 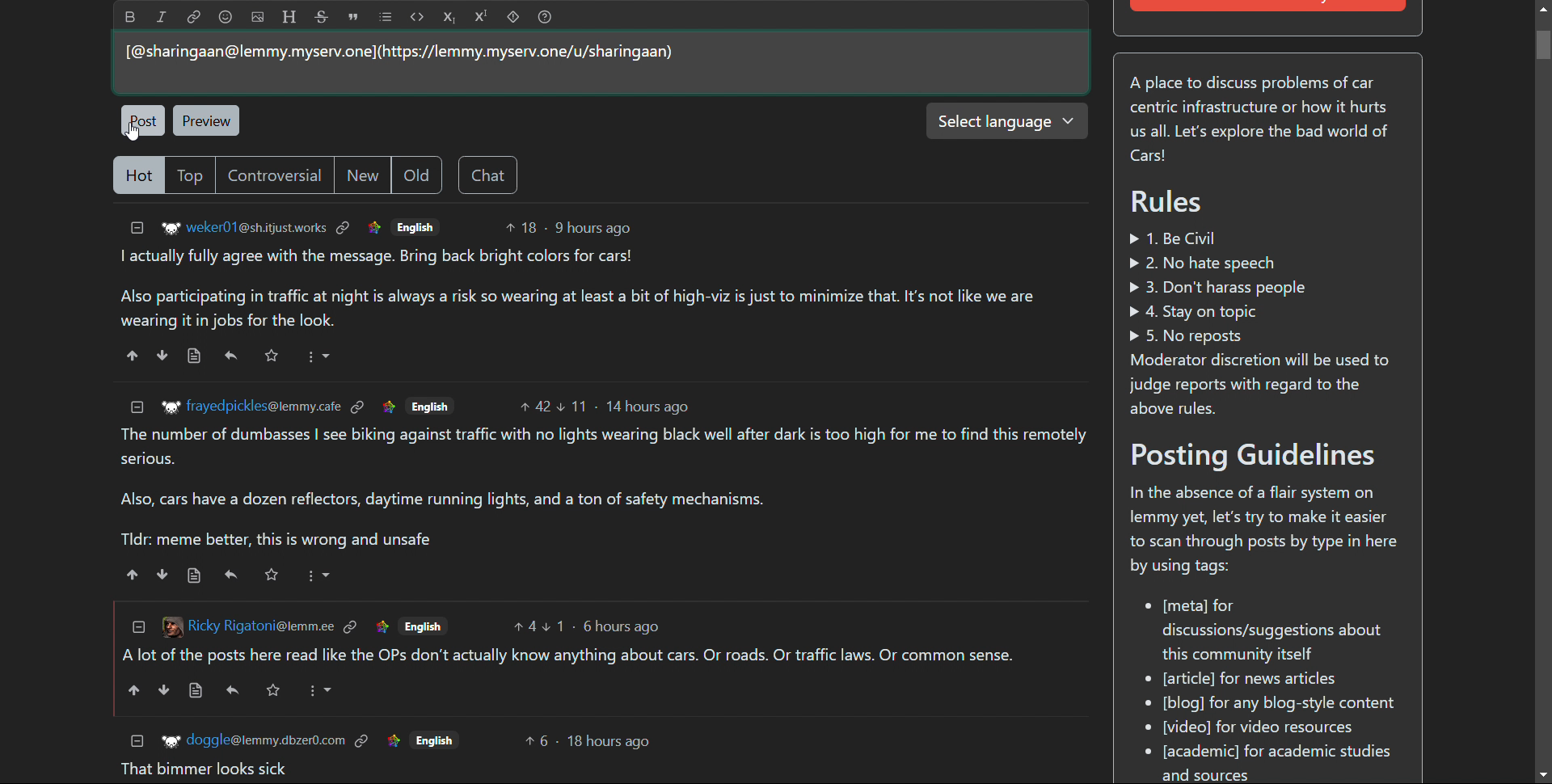 I want to click on link, so click(x=194, y=18).